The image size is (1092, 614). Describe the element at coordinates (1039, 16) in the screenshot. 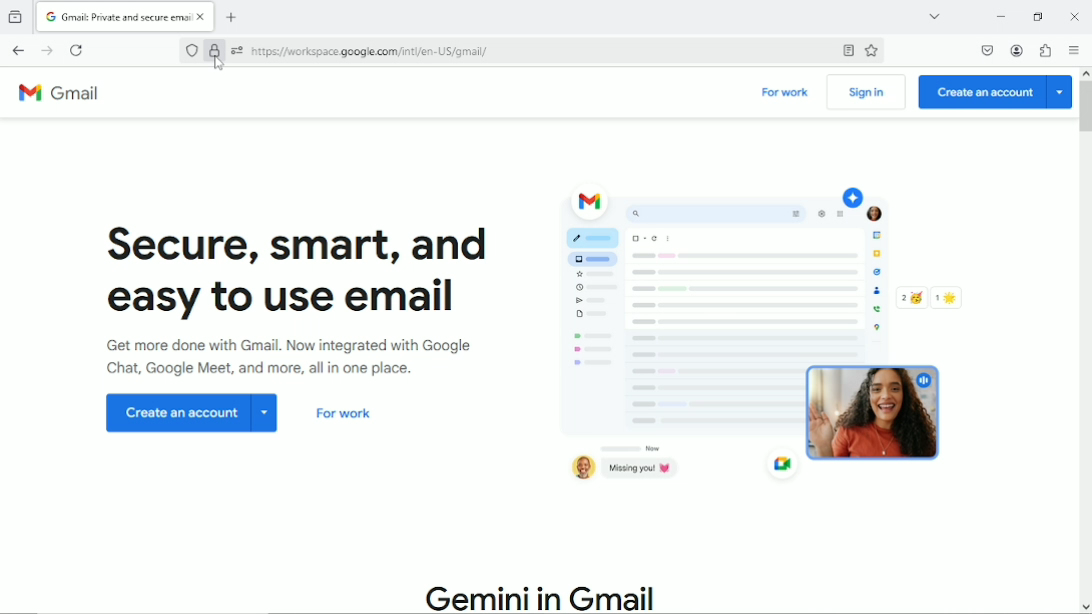

I see `restore down` at that location.